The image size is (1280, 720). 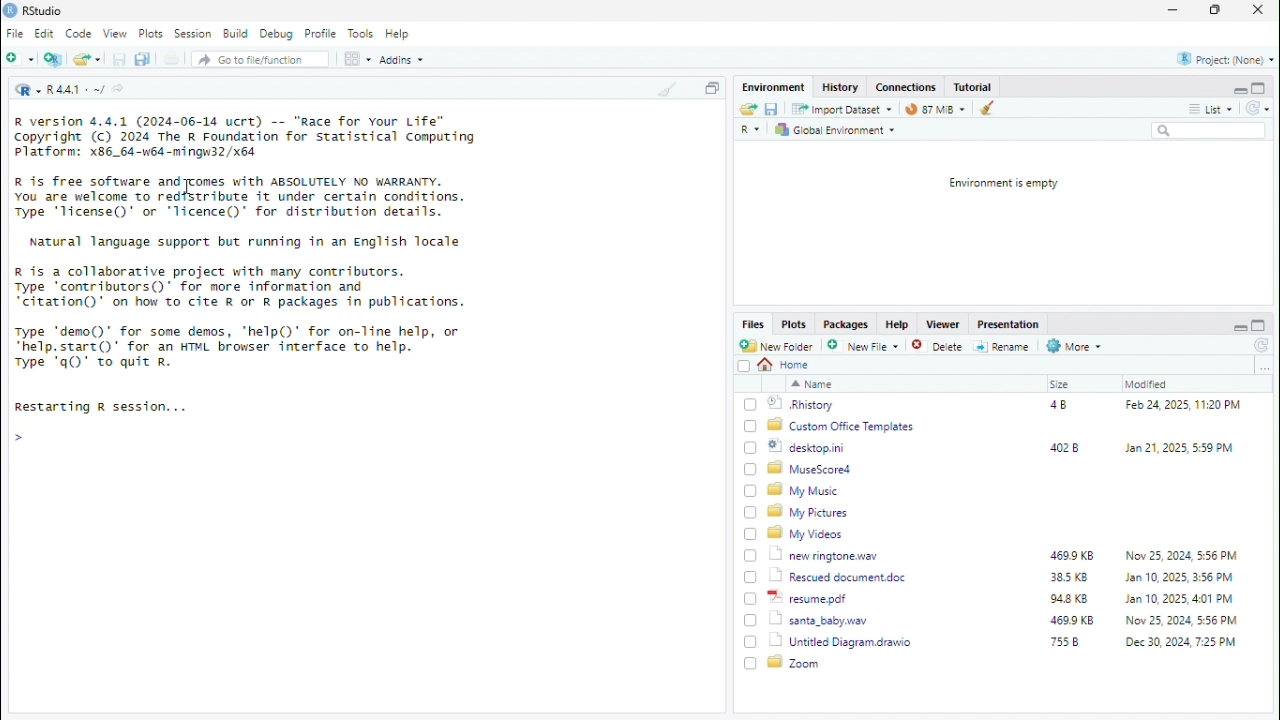 I want to click on Zoom, so click(x=795, y=662).